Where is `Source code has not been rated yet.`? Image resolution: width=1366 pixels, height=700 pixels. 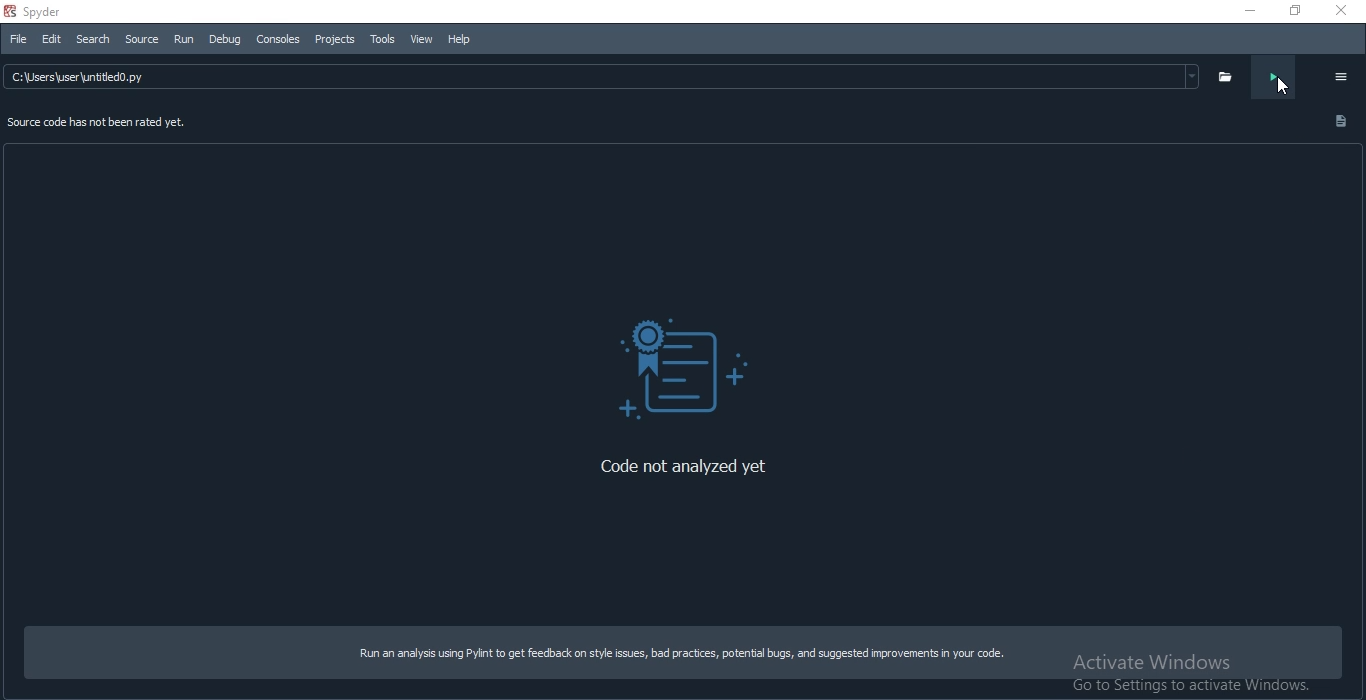 Source code has not been rated yet. is located at coordinates (105, 124).